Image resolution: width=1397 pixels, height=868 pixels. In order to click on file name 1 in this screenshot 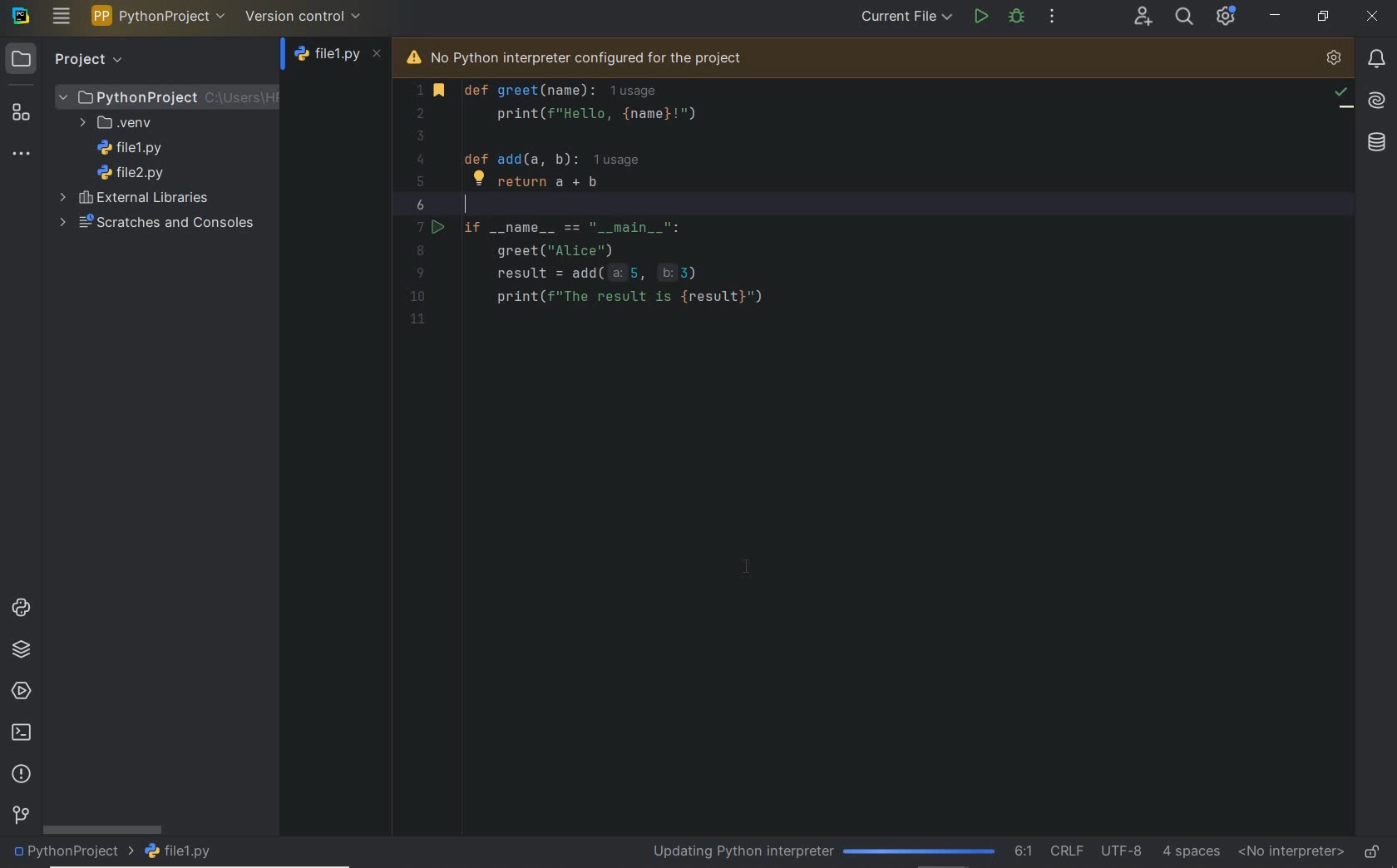, I will do `click(135, 123)`.